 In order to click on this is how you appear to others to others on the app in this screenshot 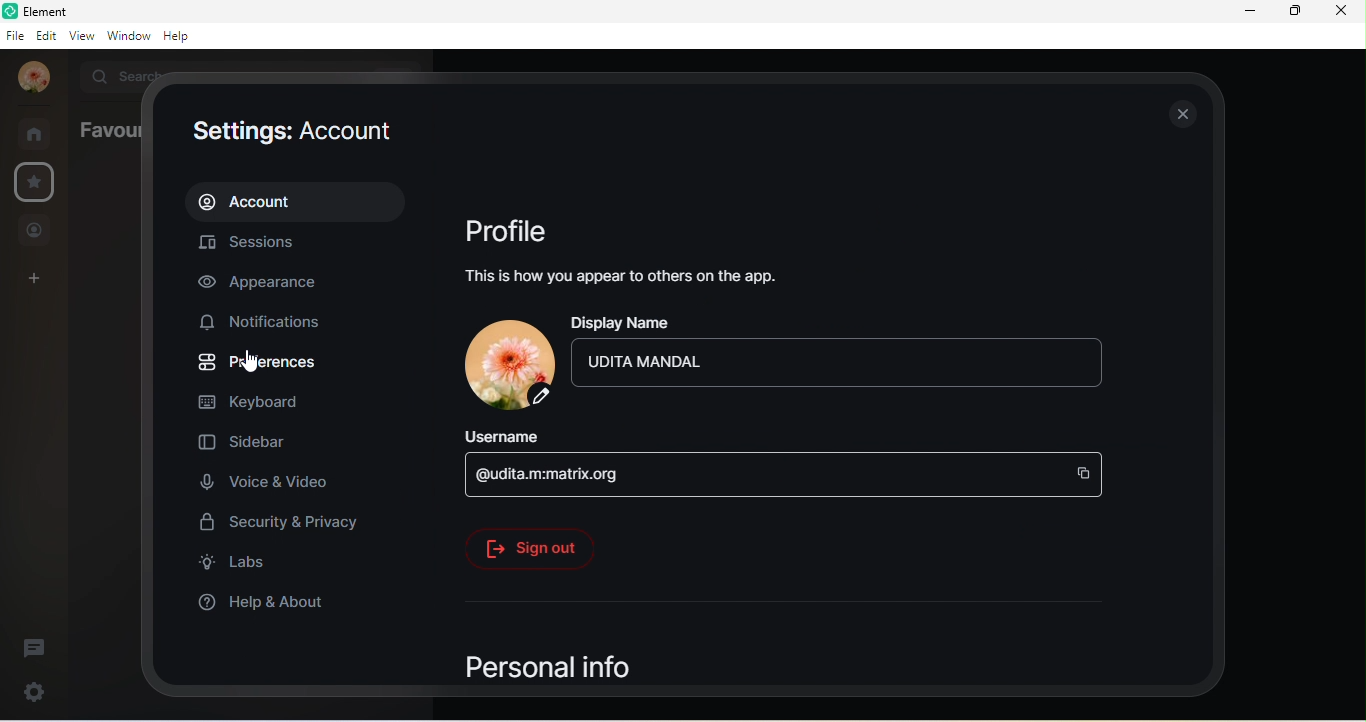, I will do `click(631, 281)`.